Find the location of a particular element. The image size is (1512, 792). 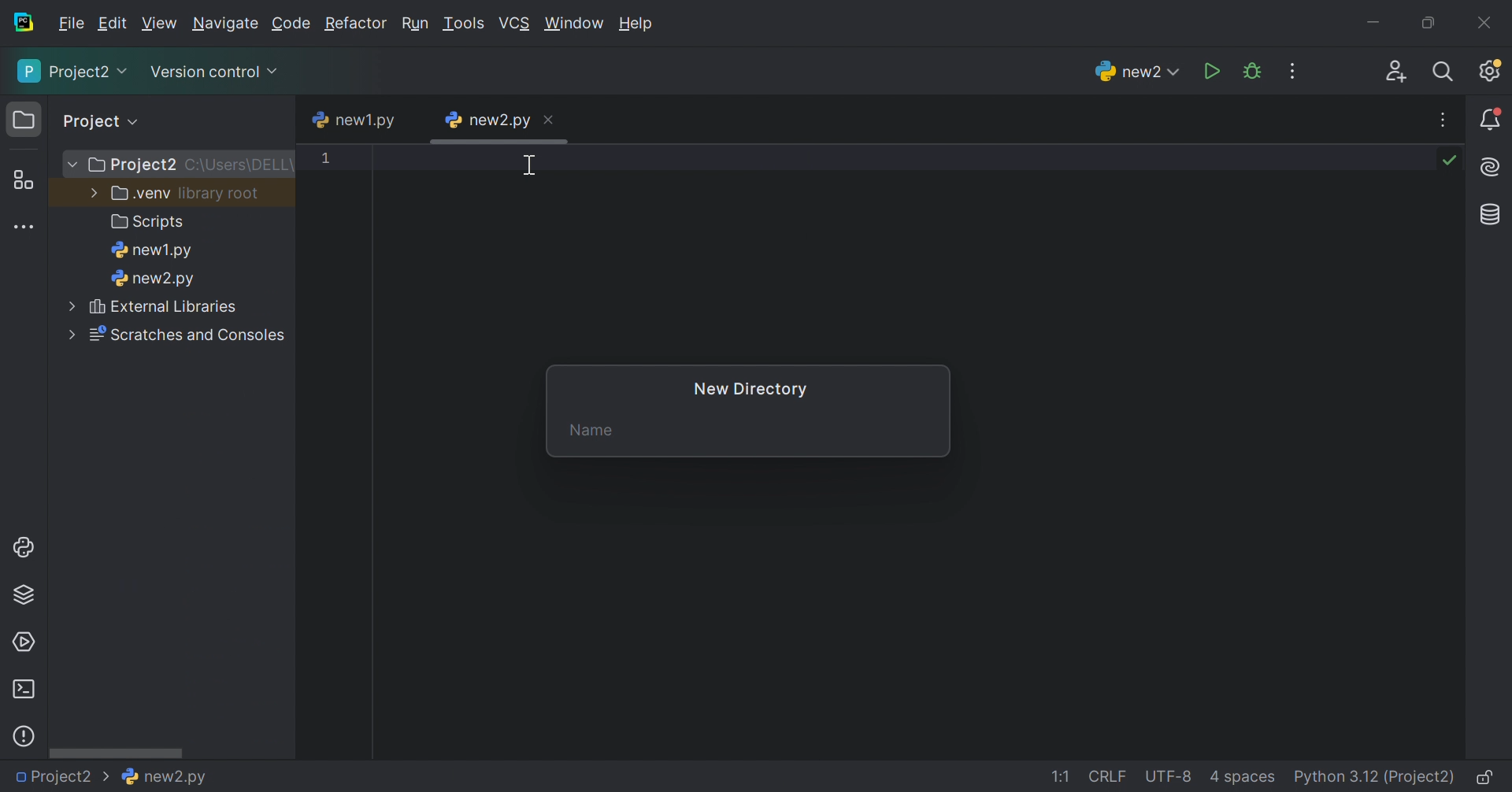

More is located at coordinates (70, 304).